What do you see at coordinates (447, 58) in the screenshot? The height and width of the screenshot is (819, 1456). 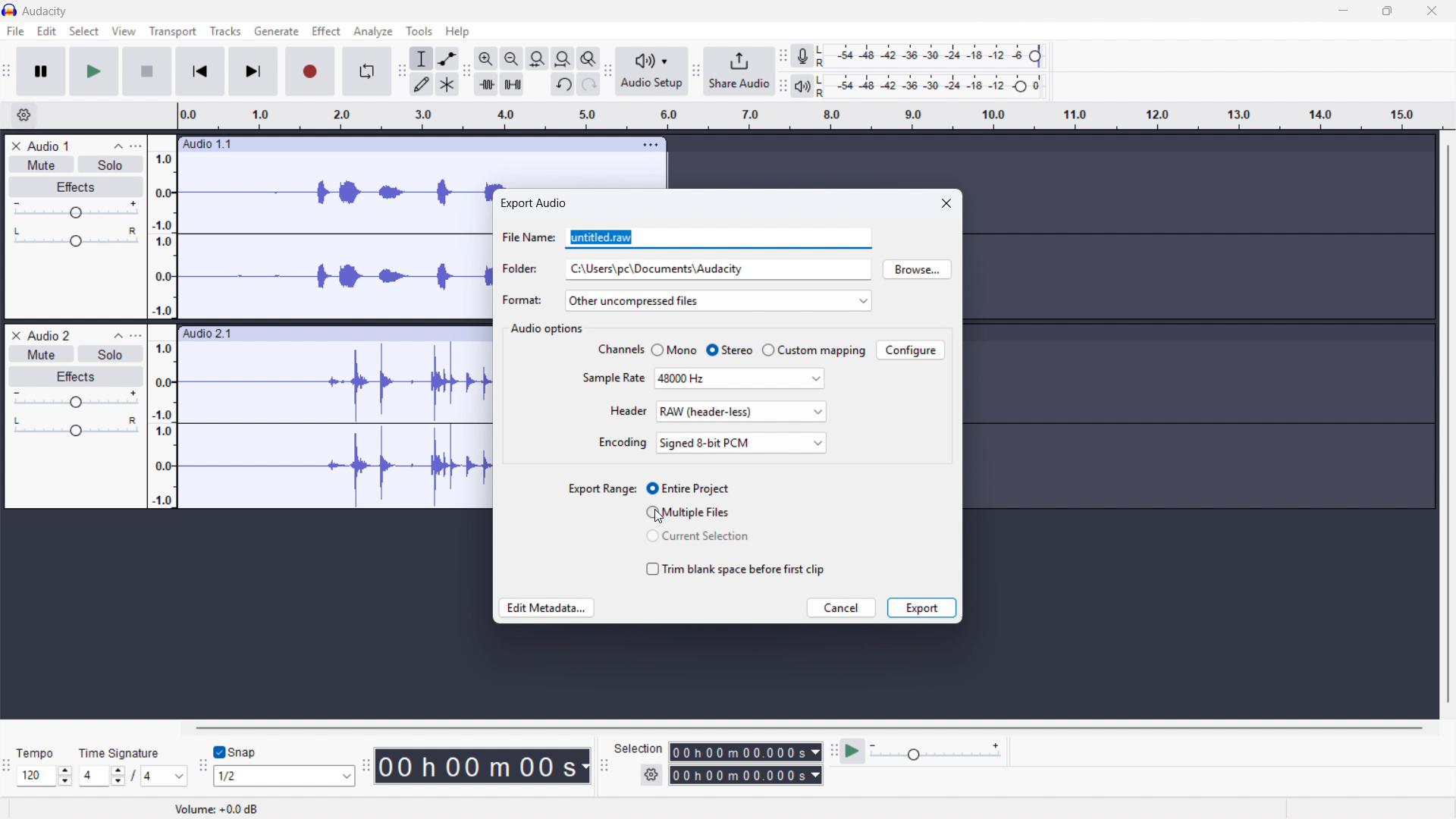 I see `Envelope tool ` at bounding box center [447, 58].